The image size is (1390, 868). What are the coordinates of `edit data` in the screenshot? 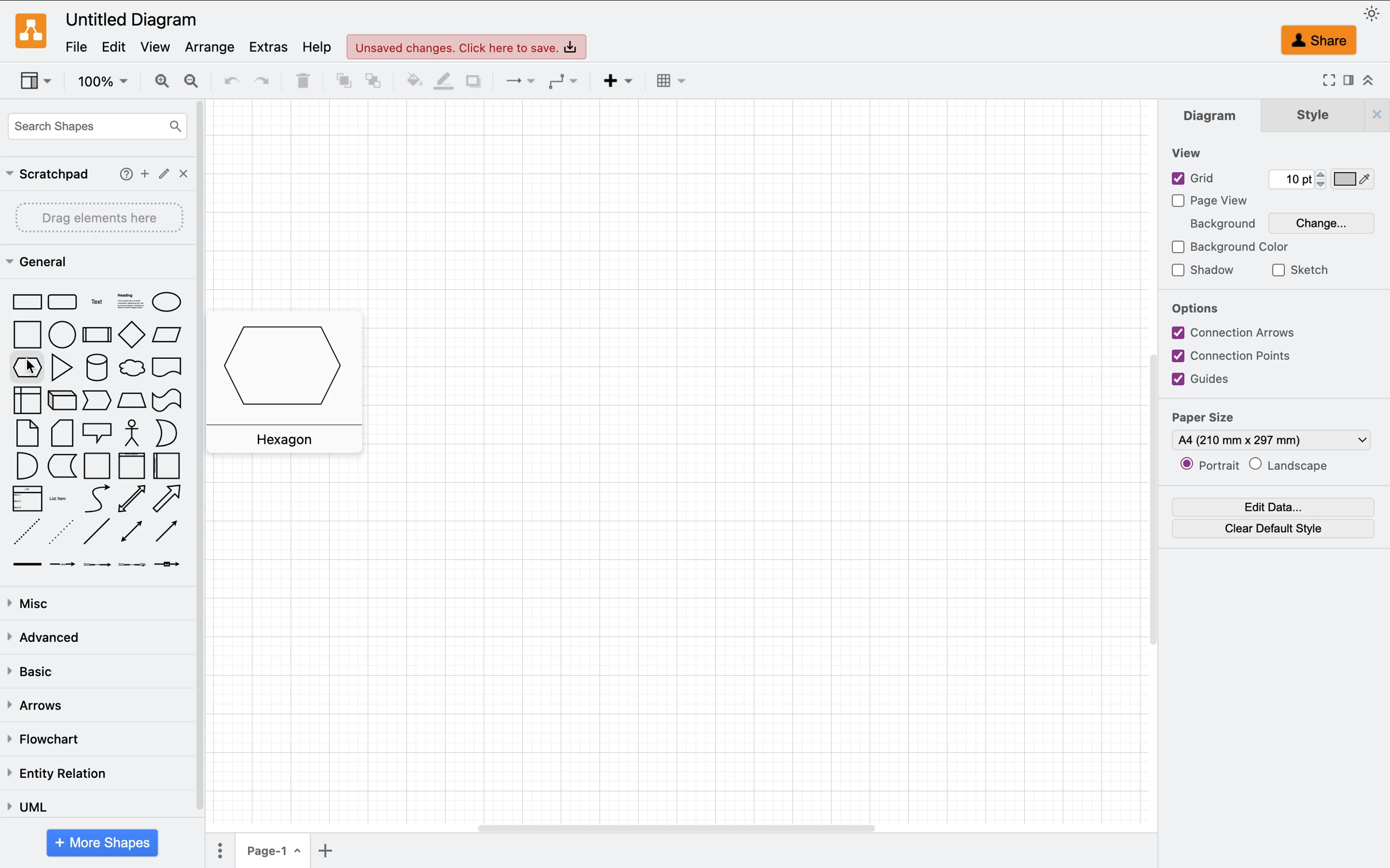 It's located at (1275, 506).